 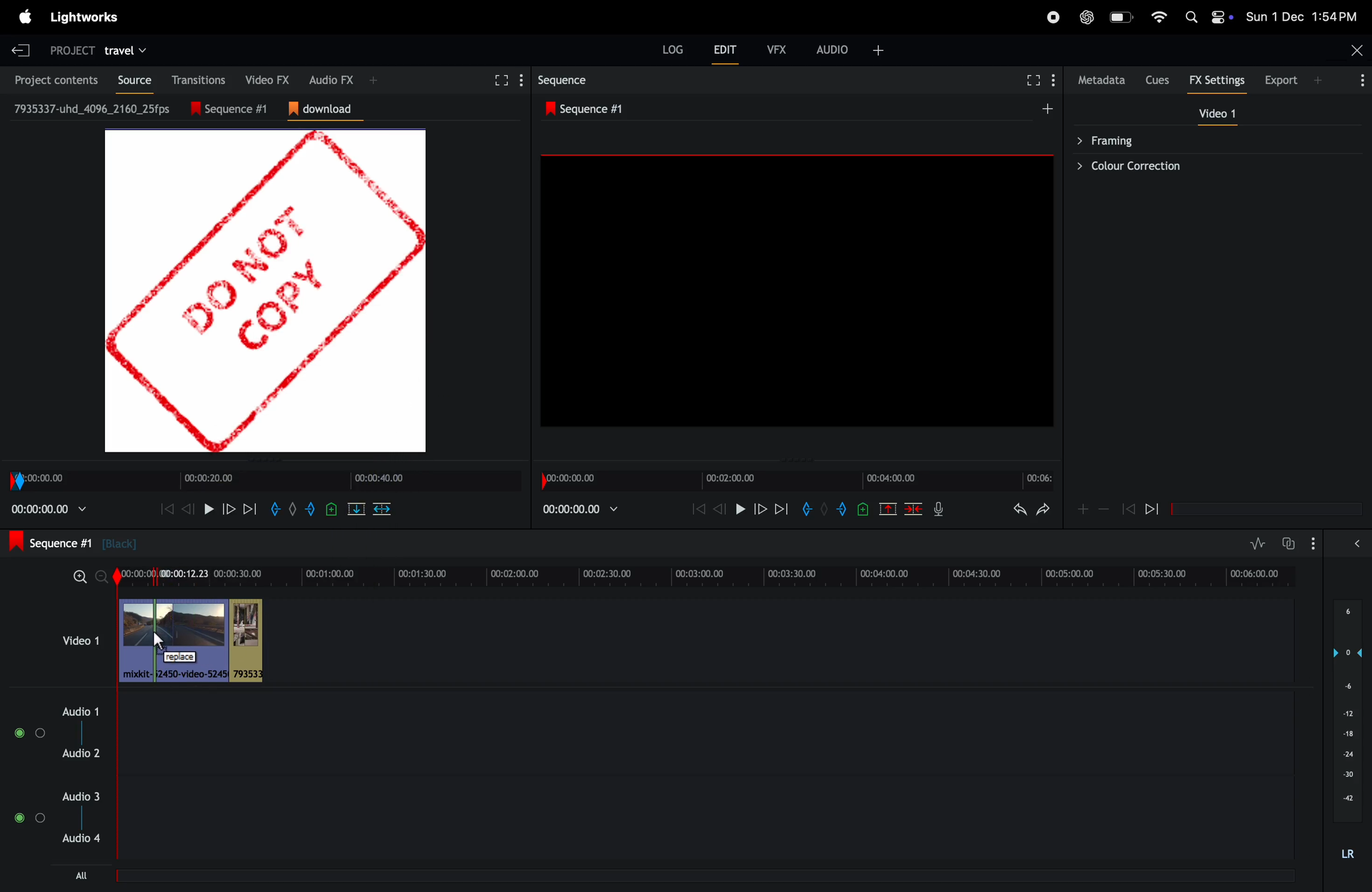 I want to click on Dark mode/Light mode, so click(x=1222, y=17).